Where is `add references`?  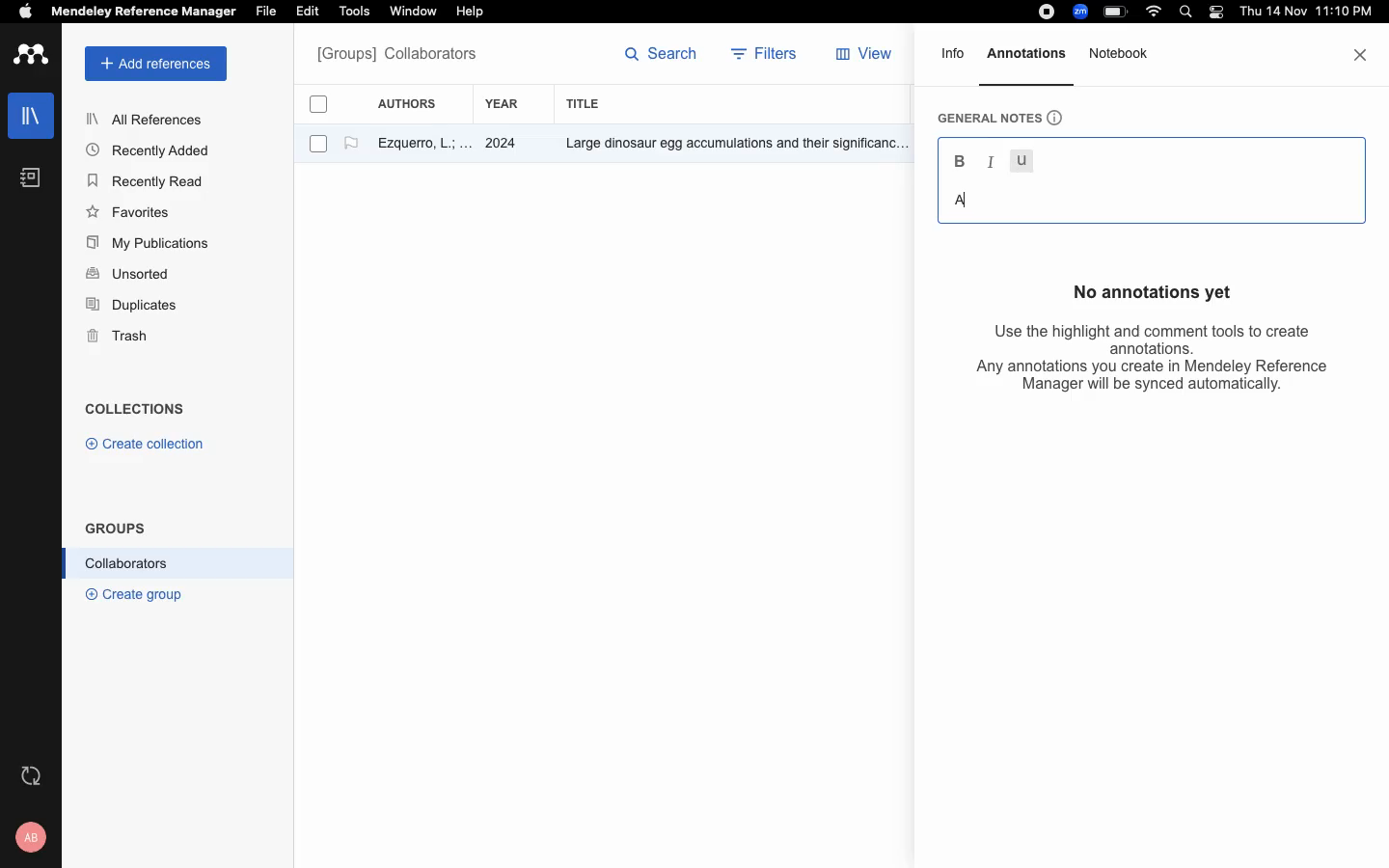 add references is located at coordinates (156, 64).